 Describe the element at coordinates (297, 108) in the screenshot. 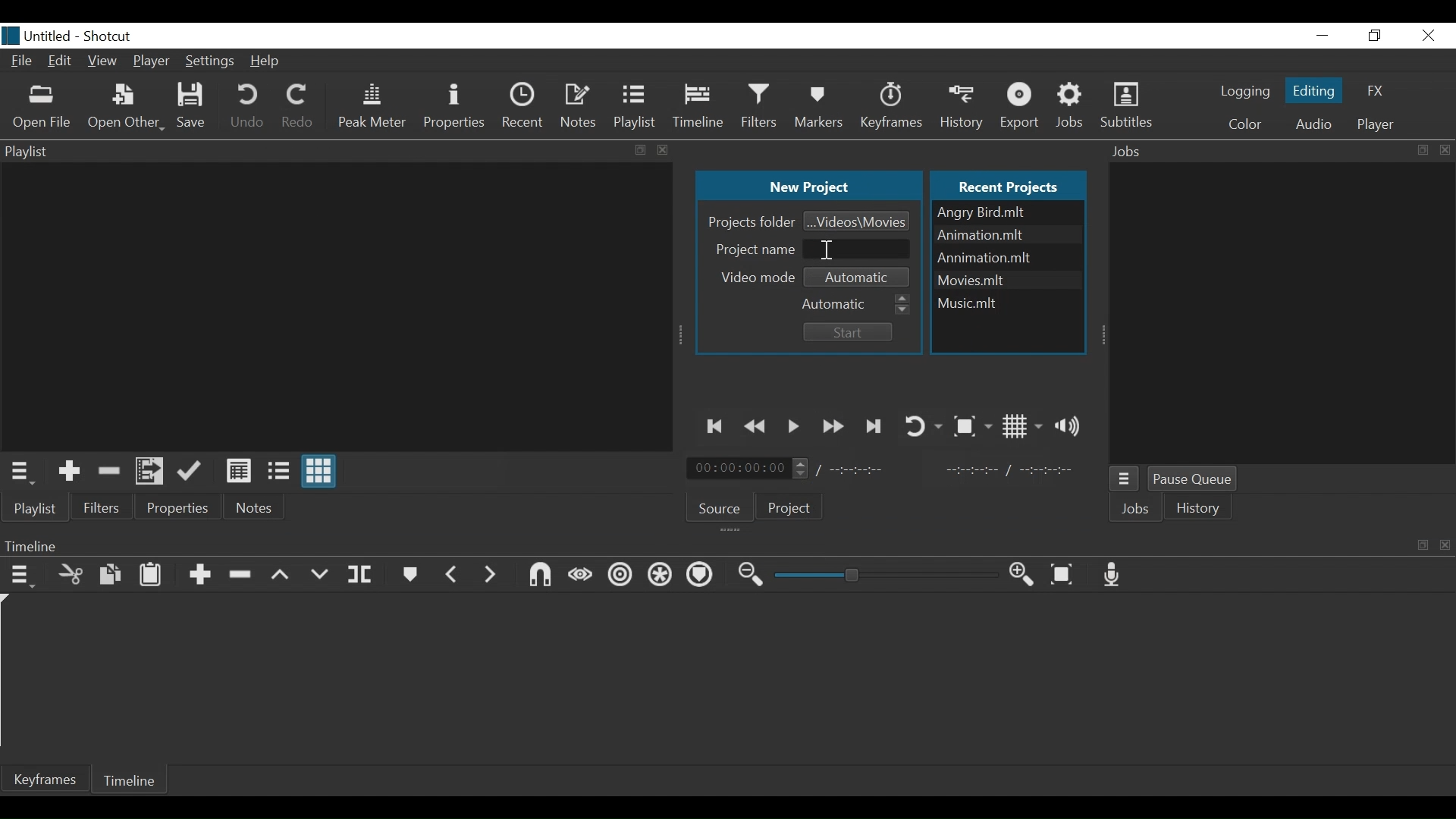

I see `Redo` at that location.